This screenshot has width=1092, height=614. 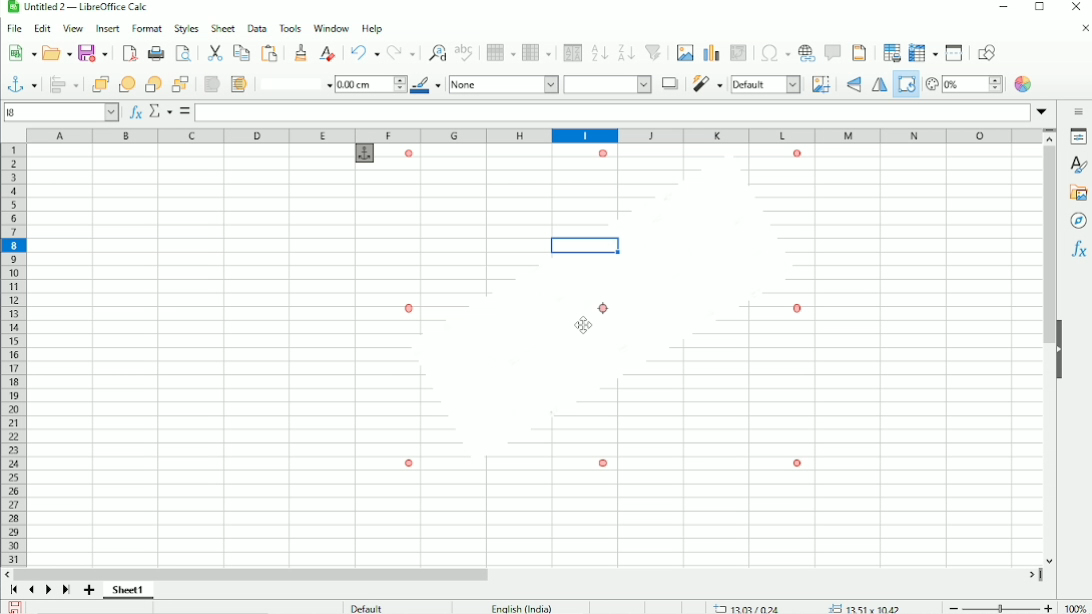 I want to click on Insert or edit pivot table, so click(x=739, y=53).